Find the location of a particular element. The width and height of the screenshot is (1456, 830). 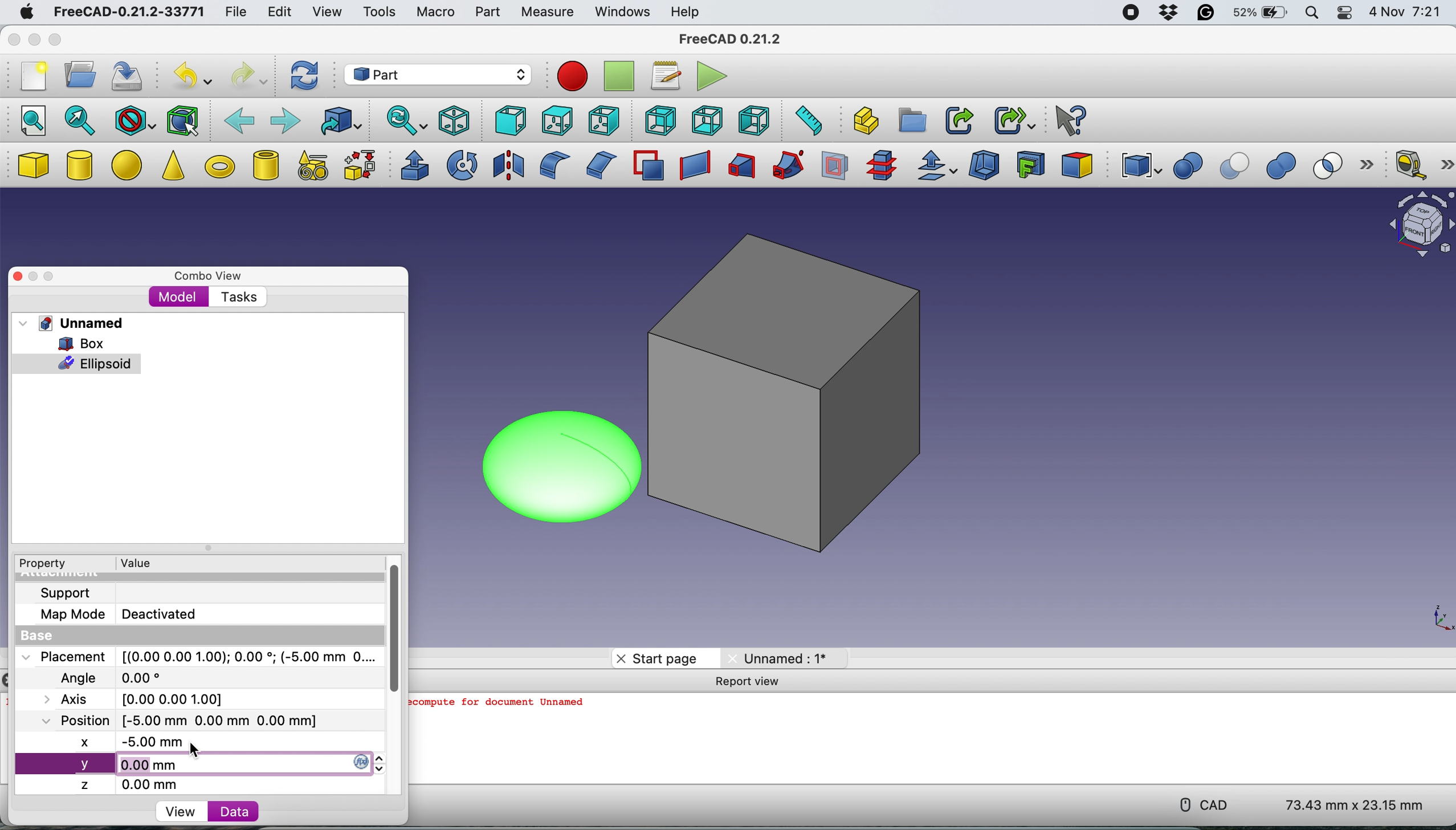

thickness is located at coordinates (985, 166).